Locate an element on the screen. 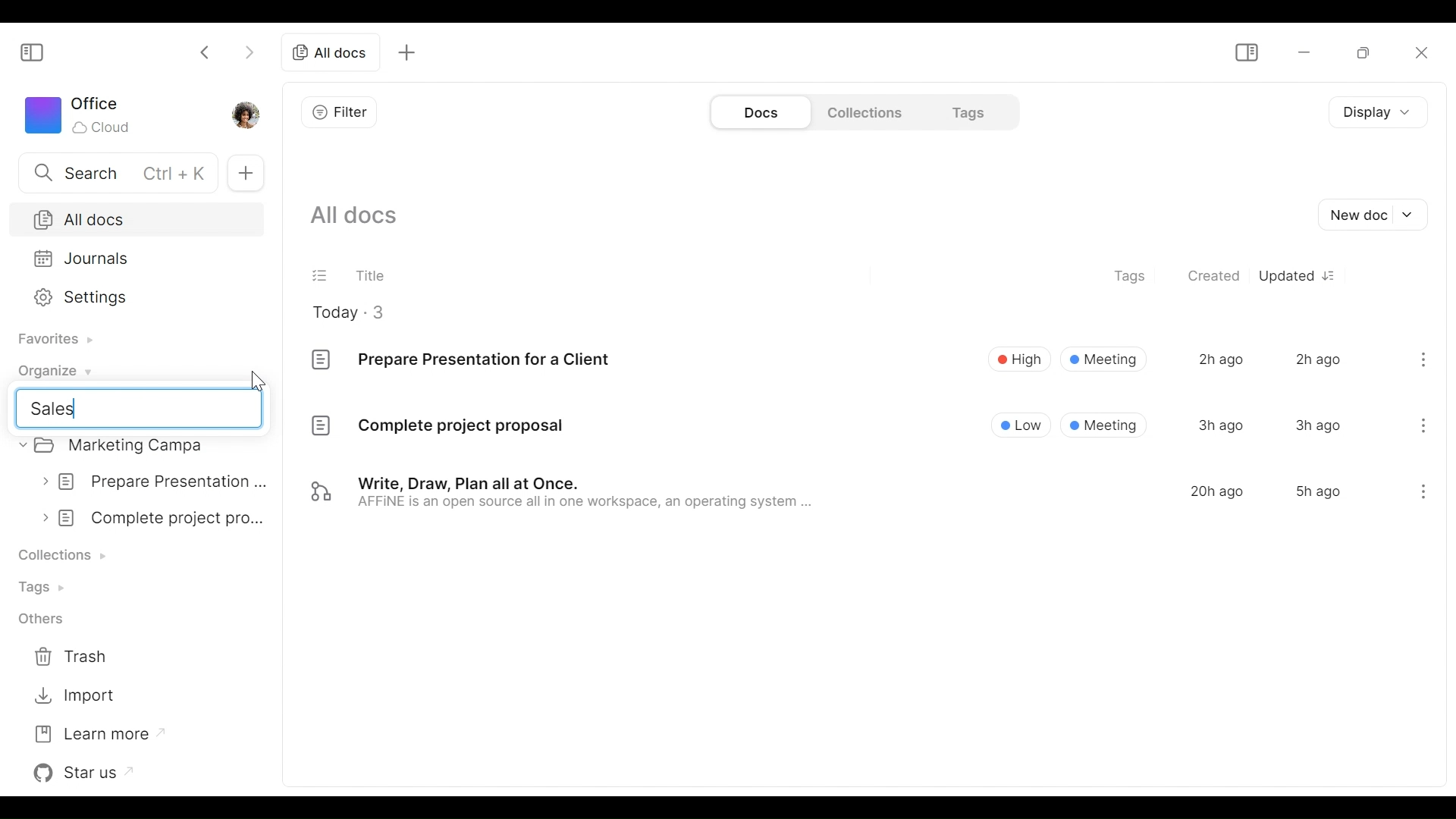  Favorites is located at coordinates (52, 339).